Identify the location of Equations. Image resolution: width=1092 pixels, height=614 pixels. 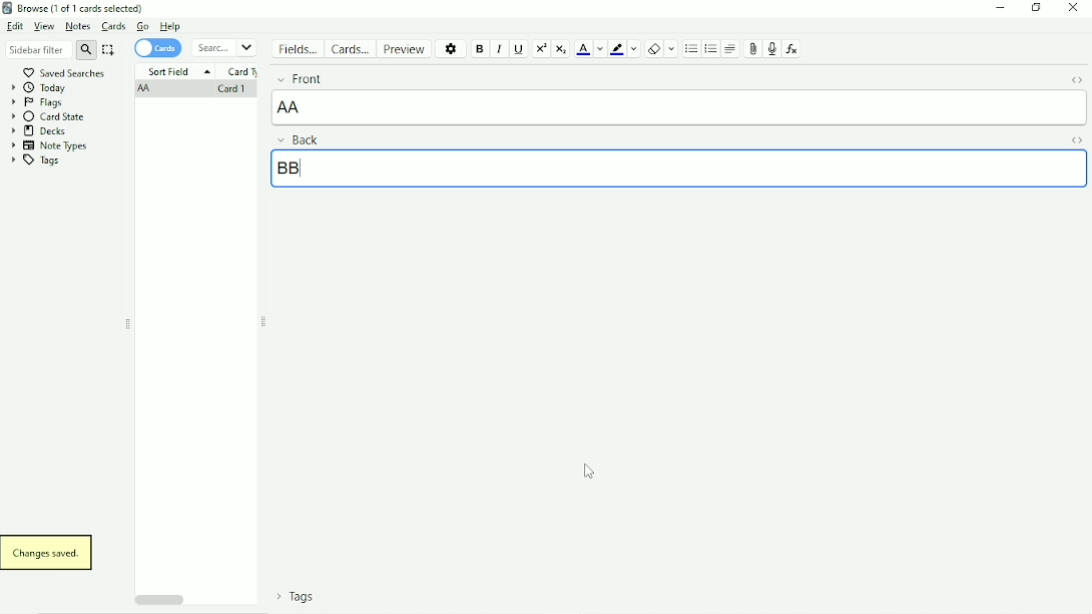
(791, 48).